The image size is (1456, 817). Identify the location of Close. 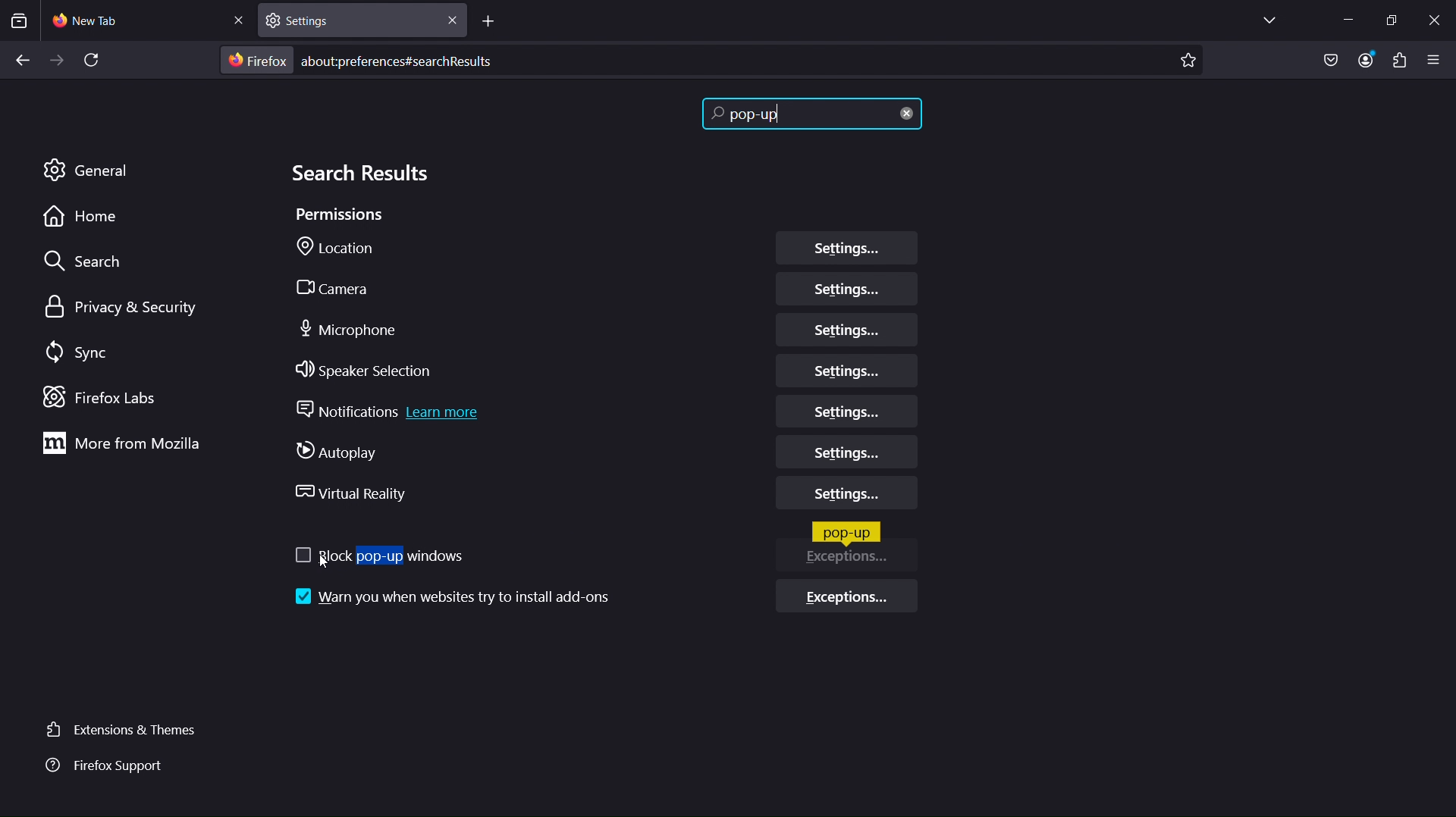
(1436, 17).